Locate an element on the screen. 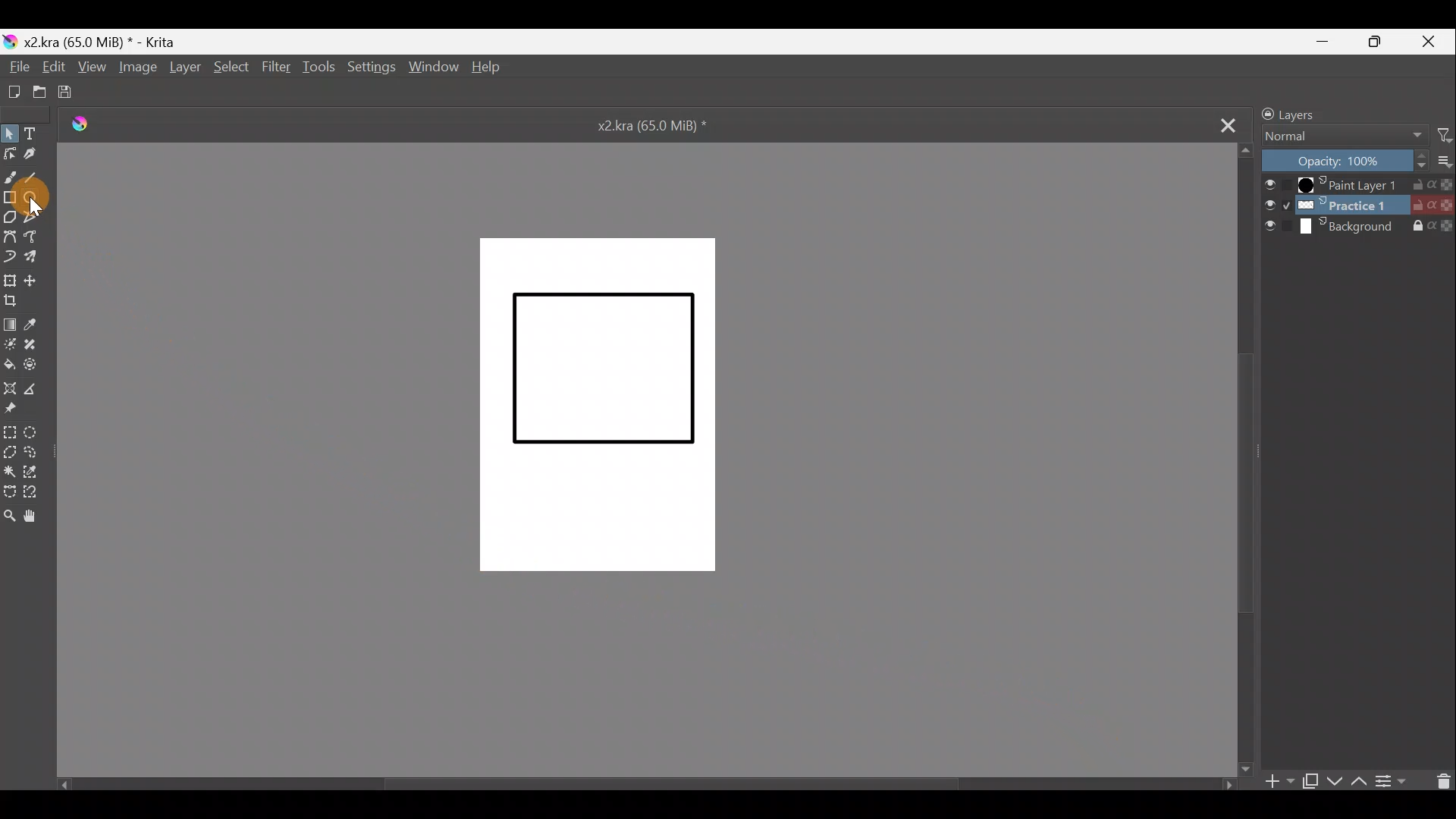  Window is located at coordinates (437, 68).